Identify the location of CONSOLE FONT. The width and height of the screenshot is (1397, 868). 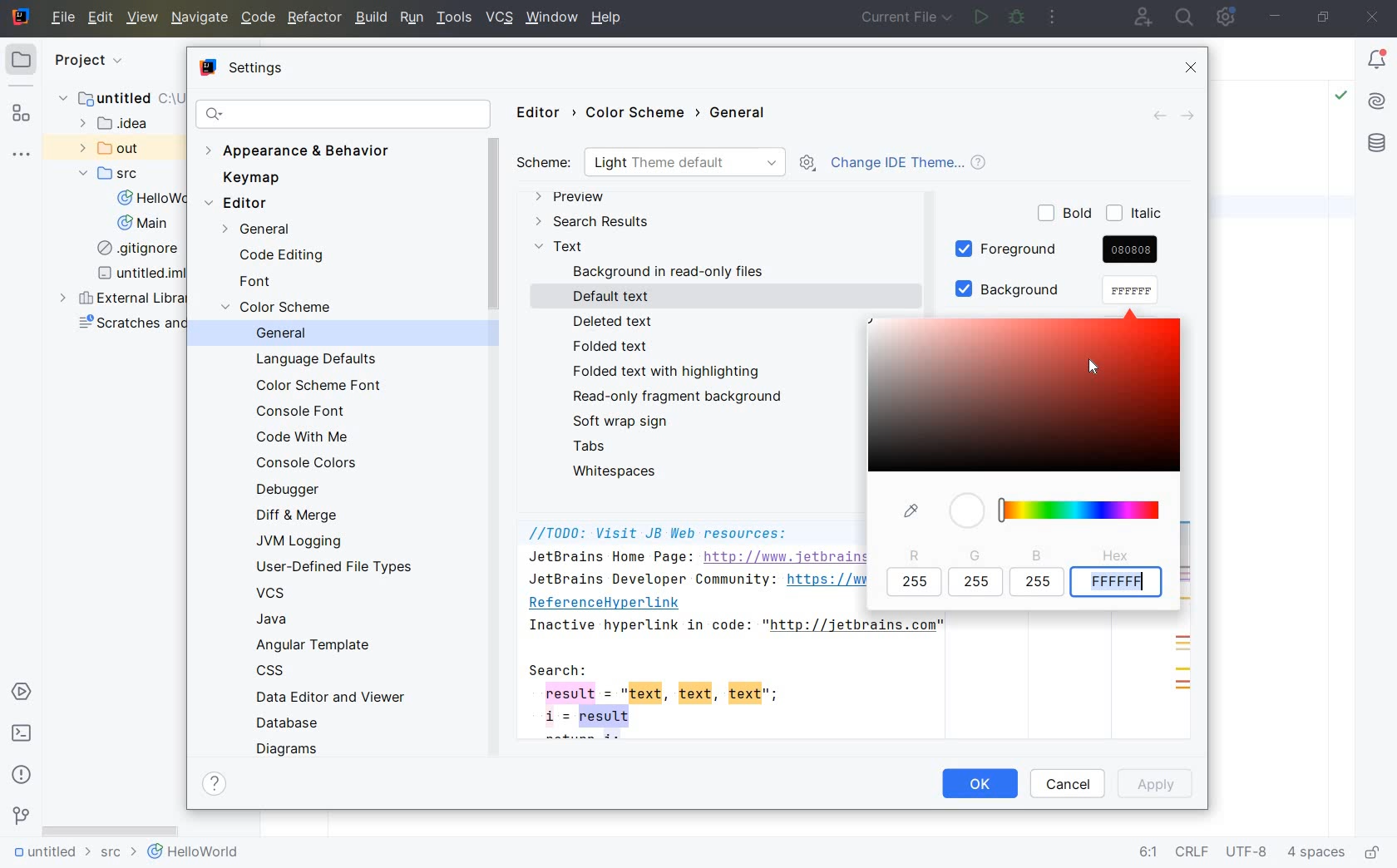
(303, 411).